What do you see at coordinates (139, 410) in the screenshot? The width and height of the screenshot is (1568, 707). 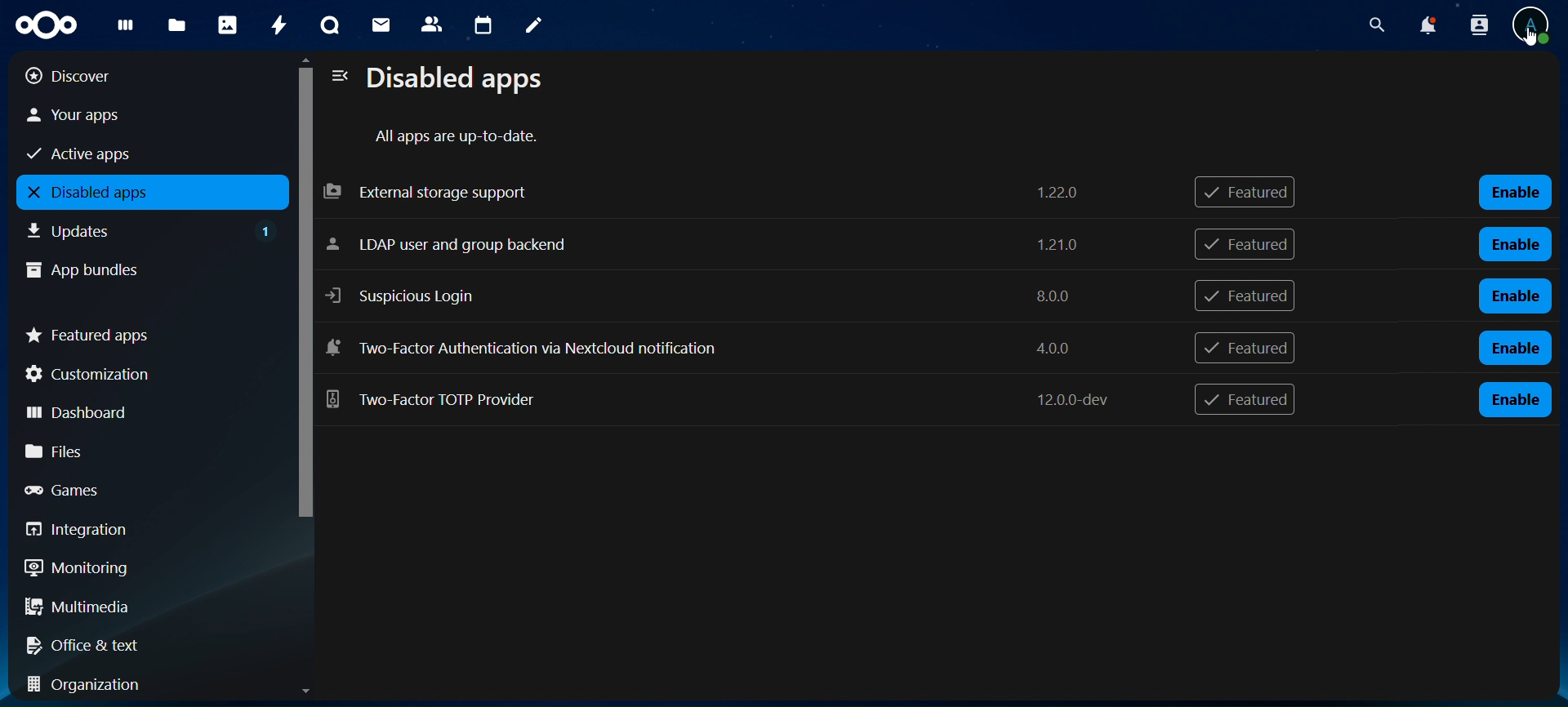 I see `dashboard` at bounding box center [139, 410].